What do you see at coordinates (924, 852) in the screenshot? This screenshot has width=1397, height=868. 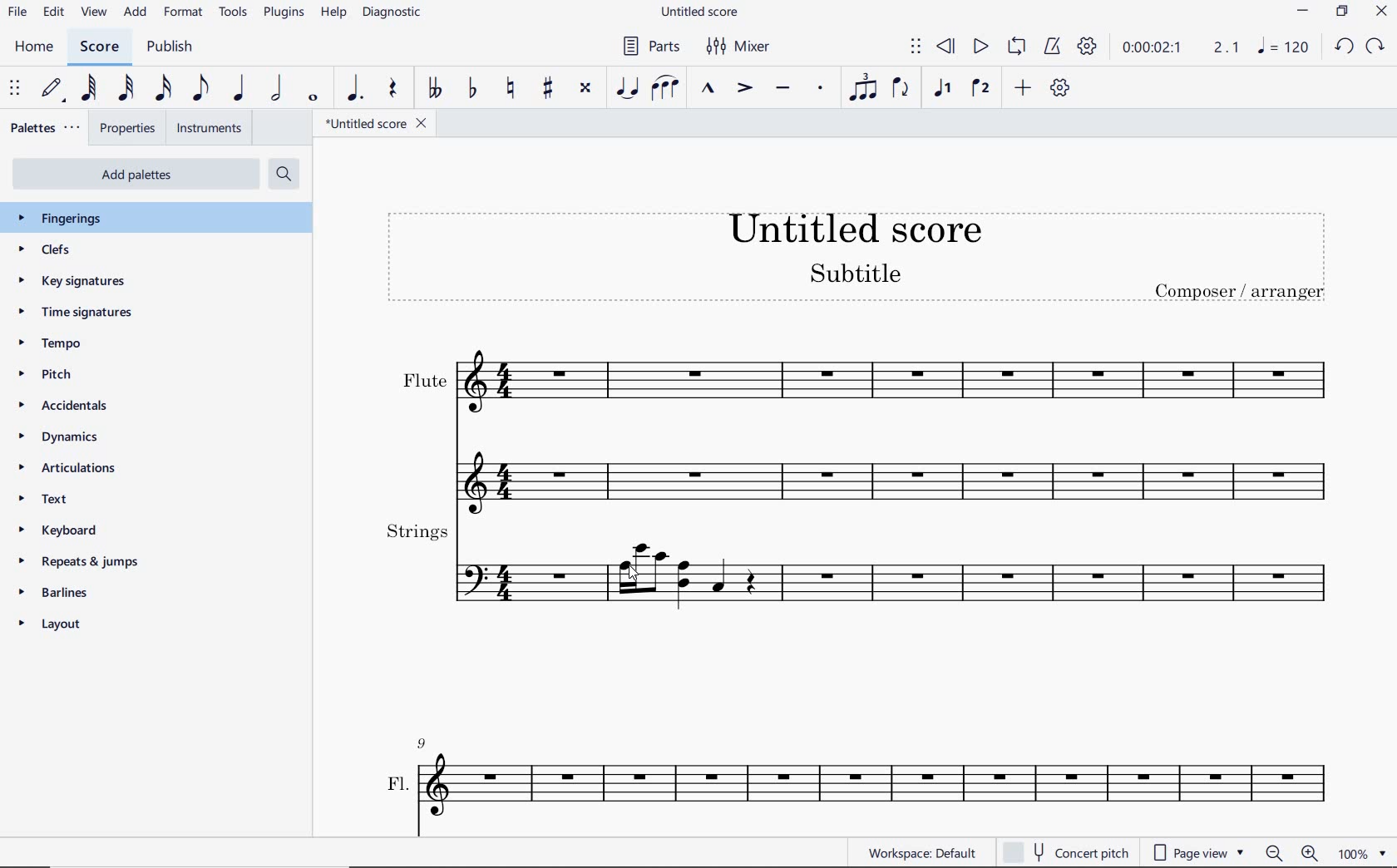 I see `workspace: default` at bounding box center [924, 852].